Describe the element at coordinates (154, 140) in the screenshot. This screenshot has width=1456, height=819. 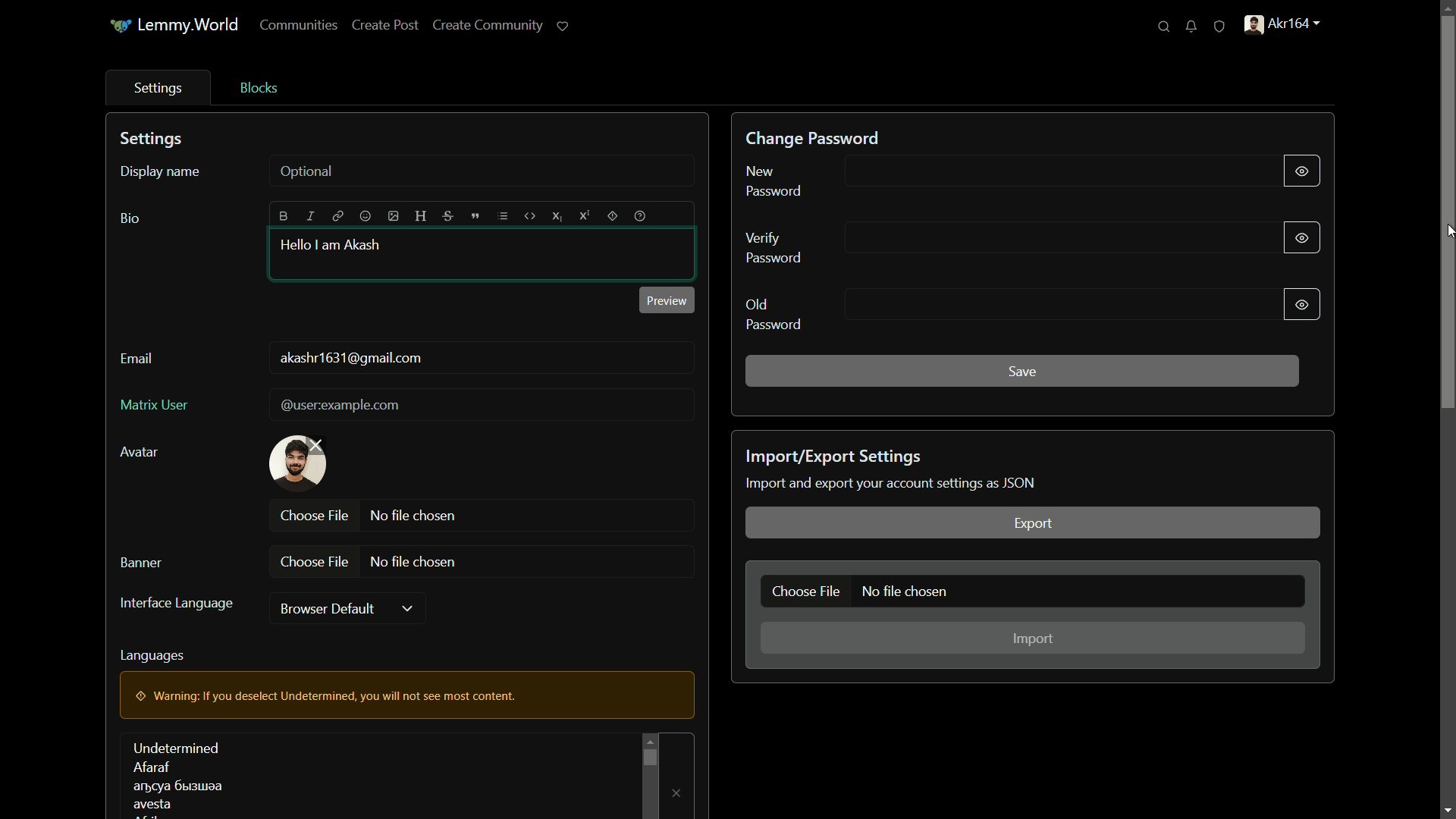
I see `settings` at that location.